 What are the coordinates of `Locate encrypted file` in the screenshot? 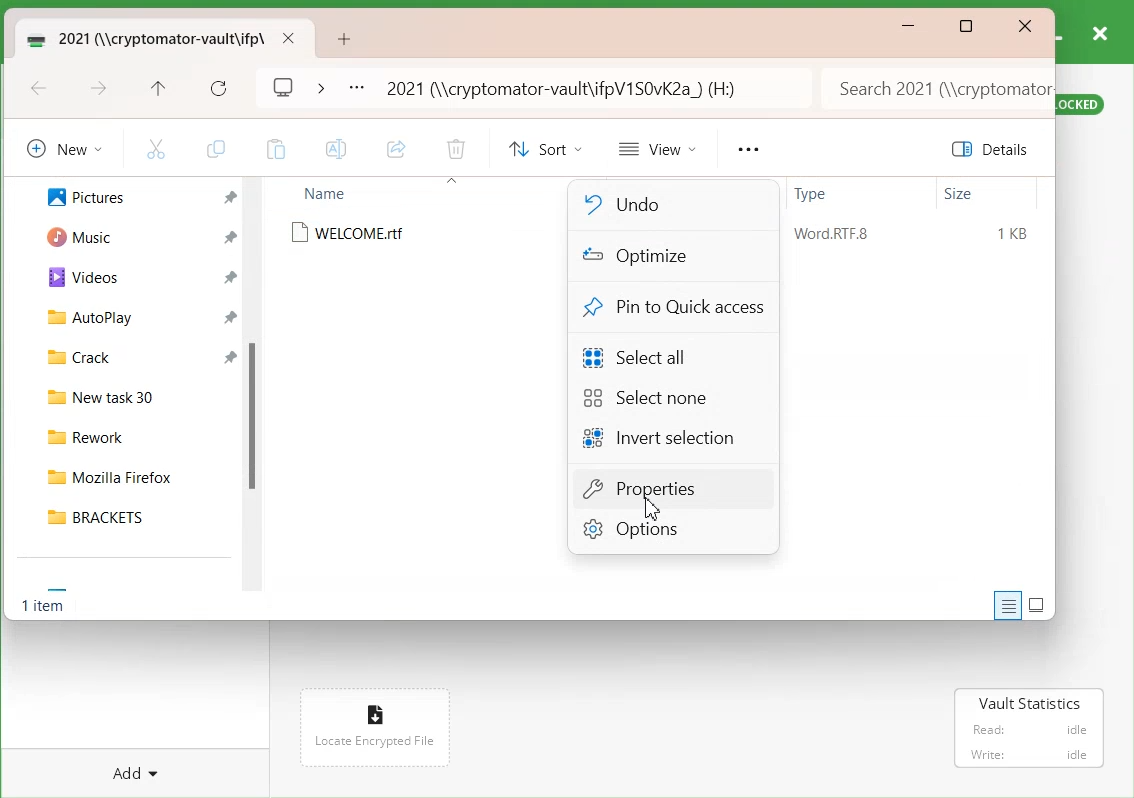 It's located at (375, 740).